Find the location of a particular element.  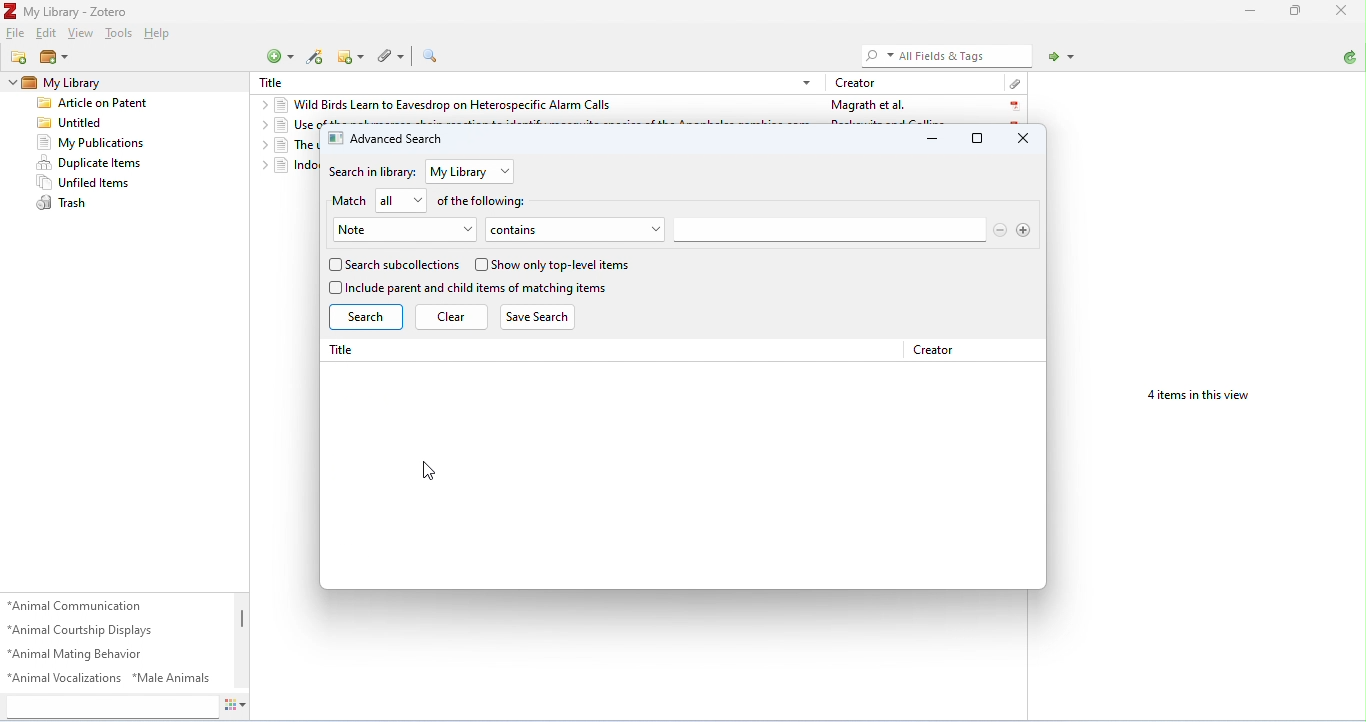

untitled is located at coordinates (73, 124).